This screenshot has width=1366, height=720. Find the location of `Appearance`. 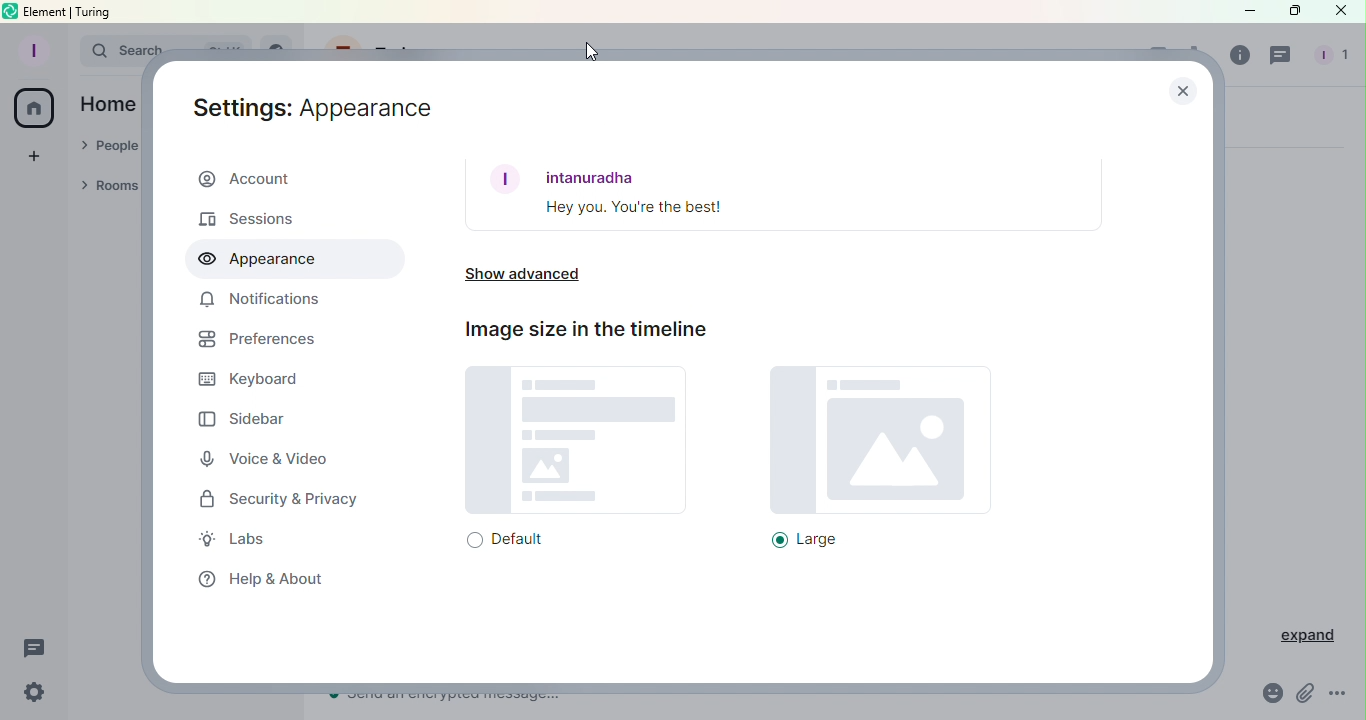

Appearance is located at coordinates (289, 260).